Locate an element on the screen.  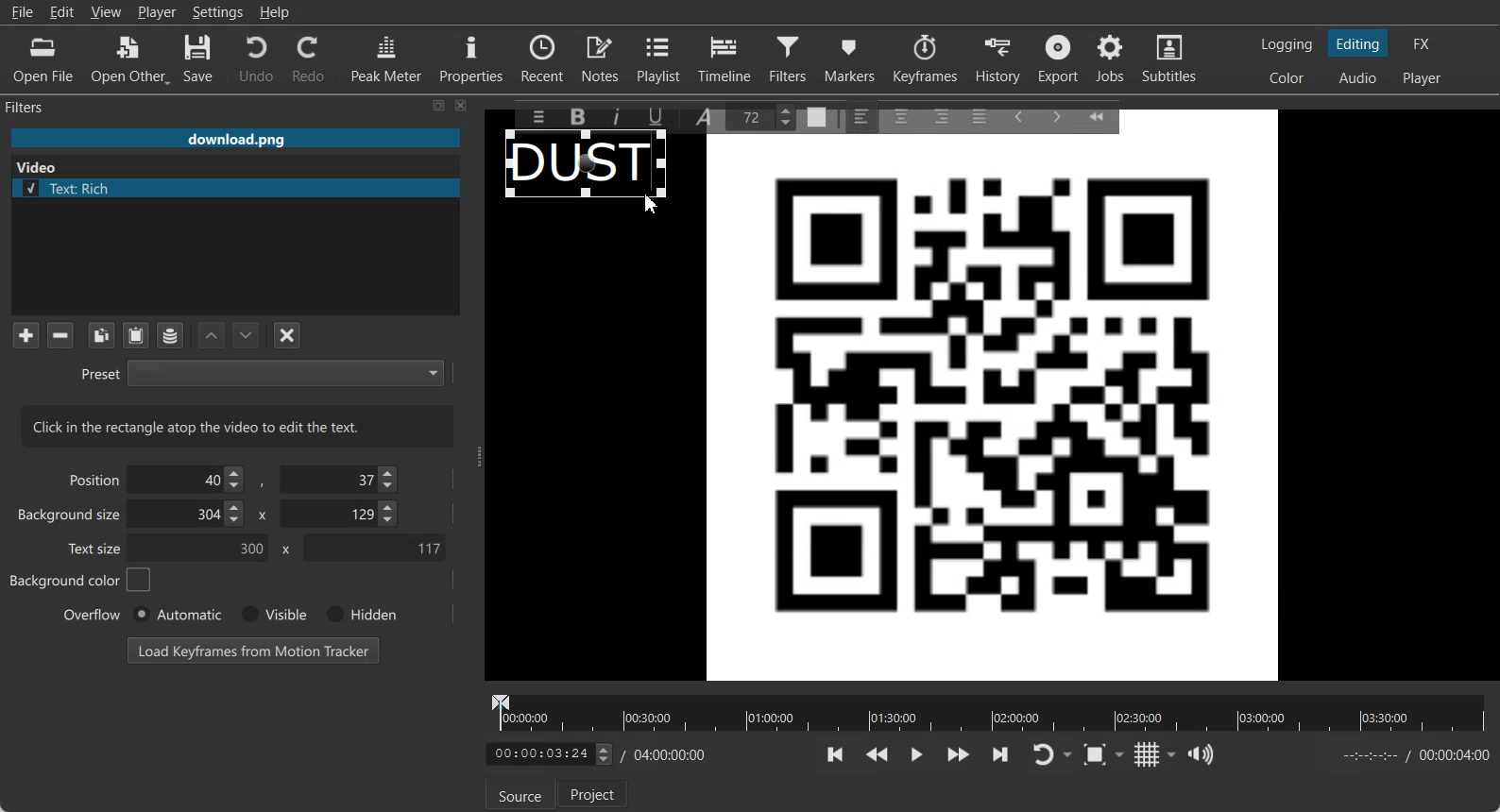
adjust Time  is located at coordinates (548, 755).